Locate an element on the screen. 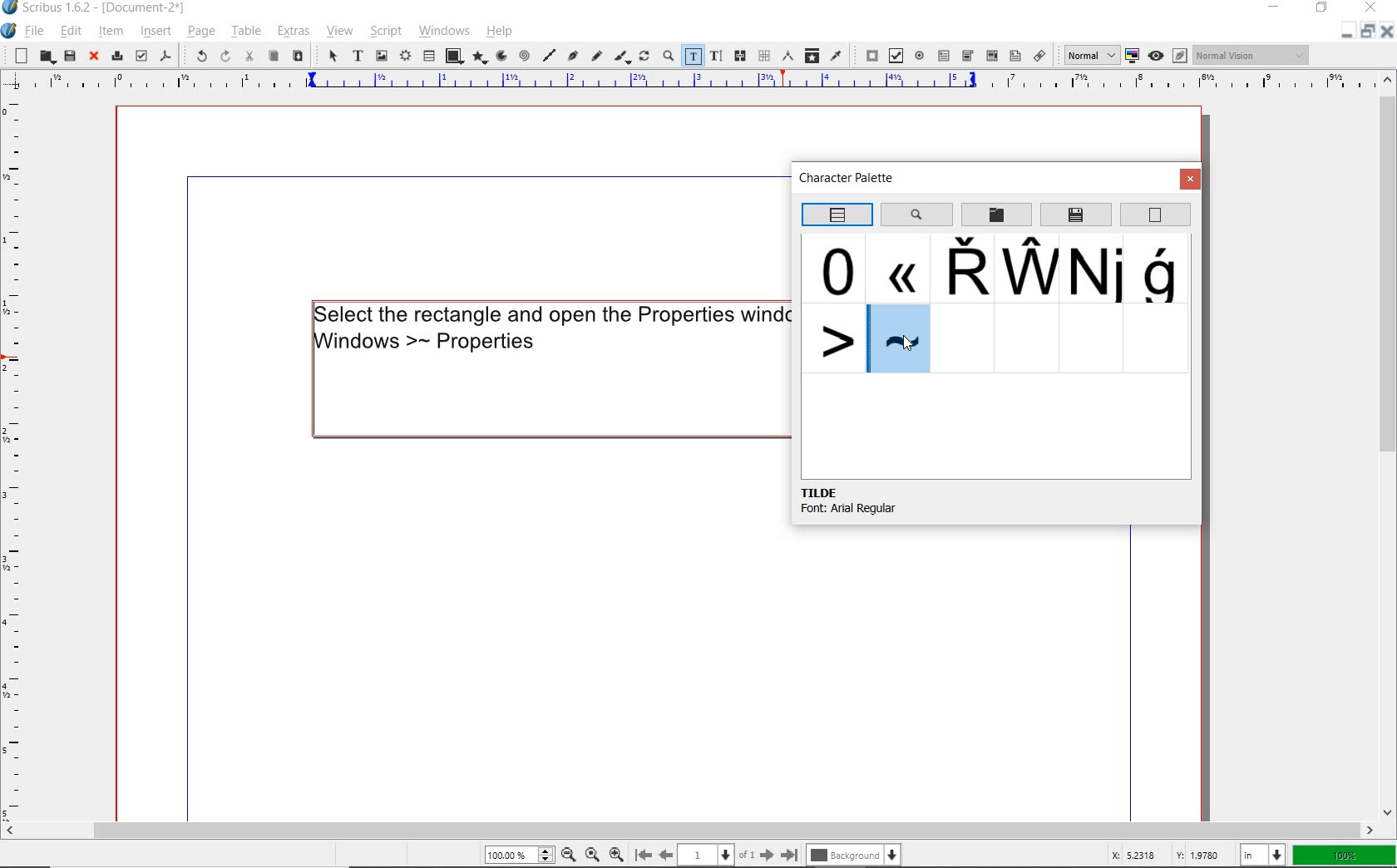  file is located at coordinates (37, 31).